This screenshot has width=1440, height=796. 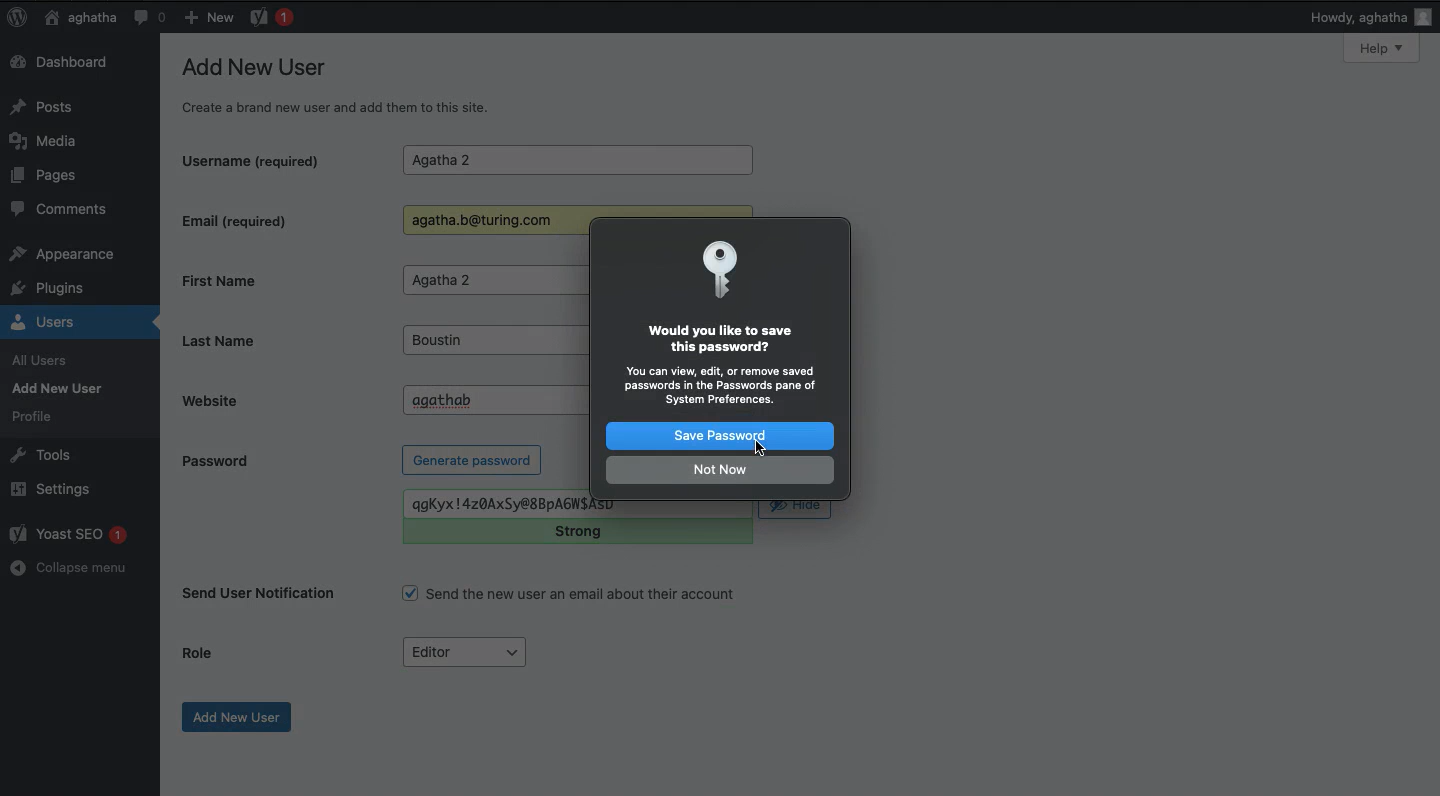 I want to click on Logo, so click(x=17, y=18).